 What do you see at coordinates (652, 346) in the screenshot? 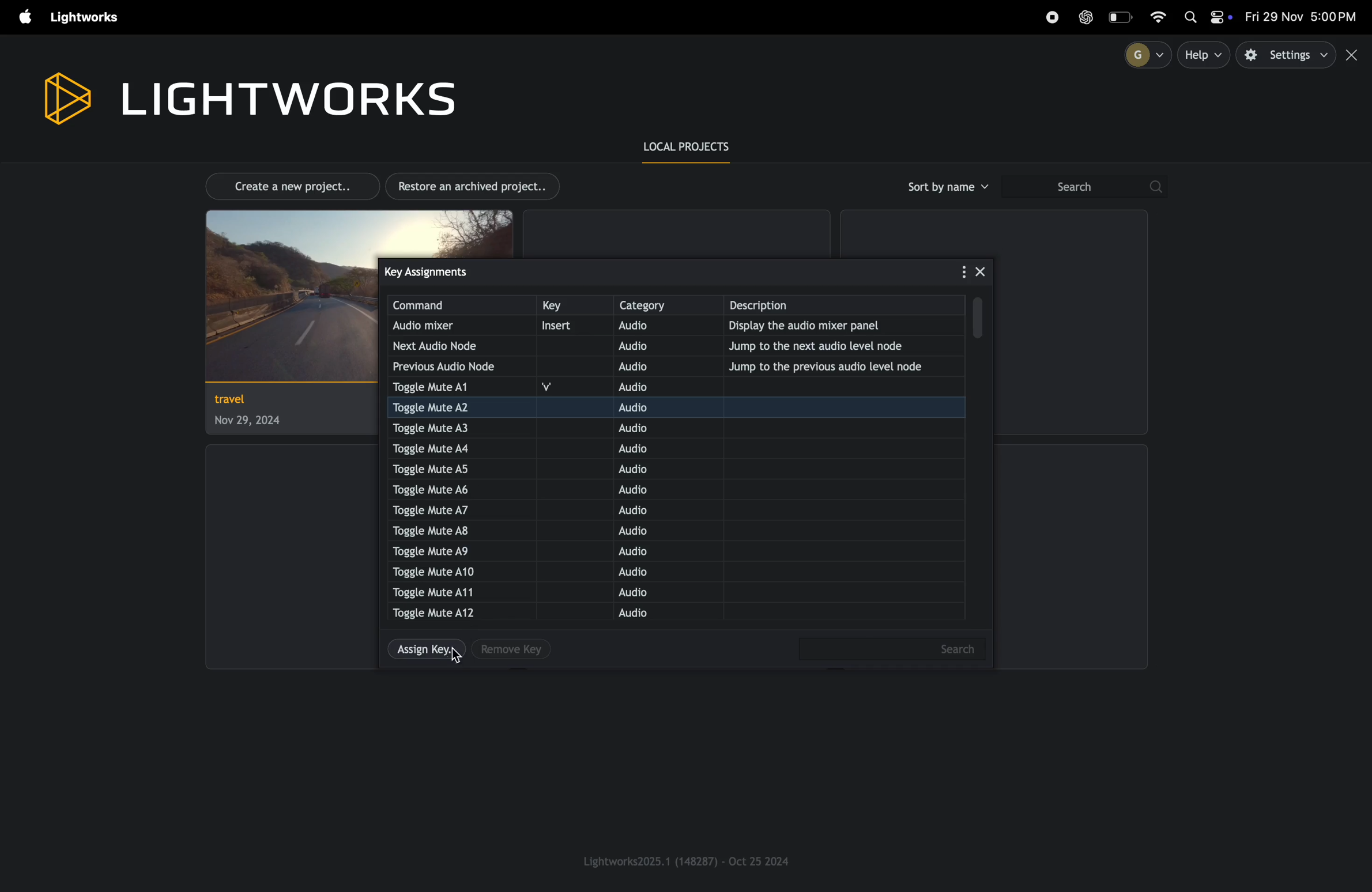
I see `audio` at bounding box center [652, 346].